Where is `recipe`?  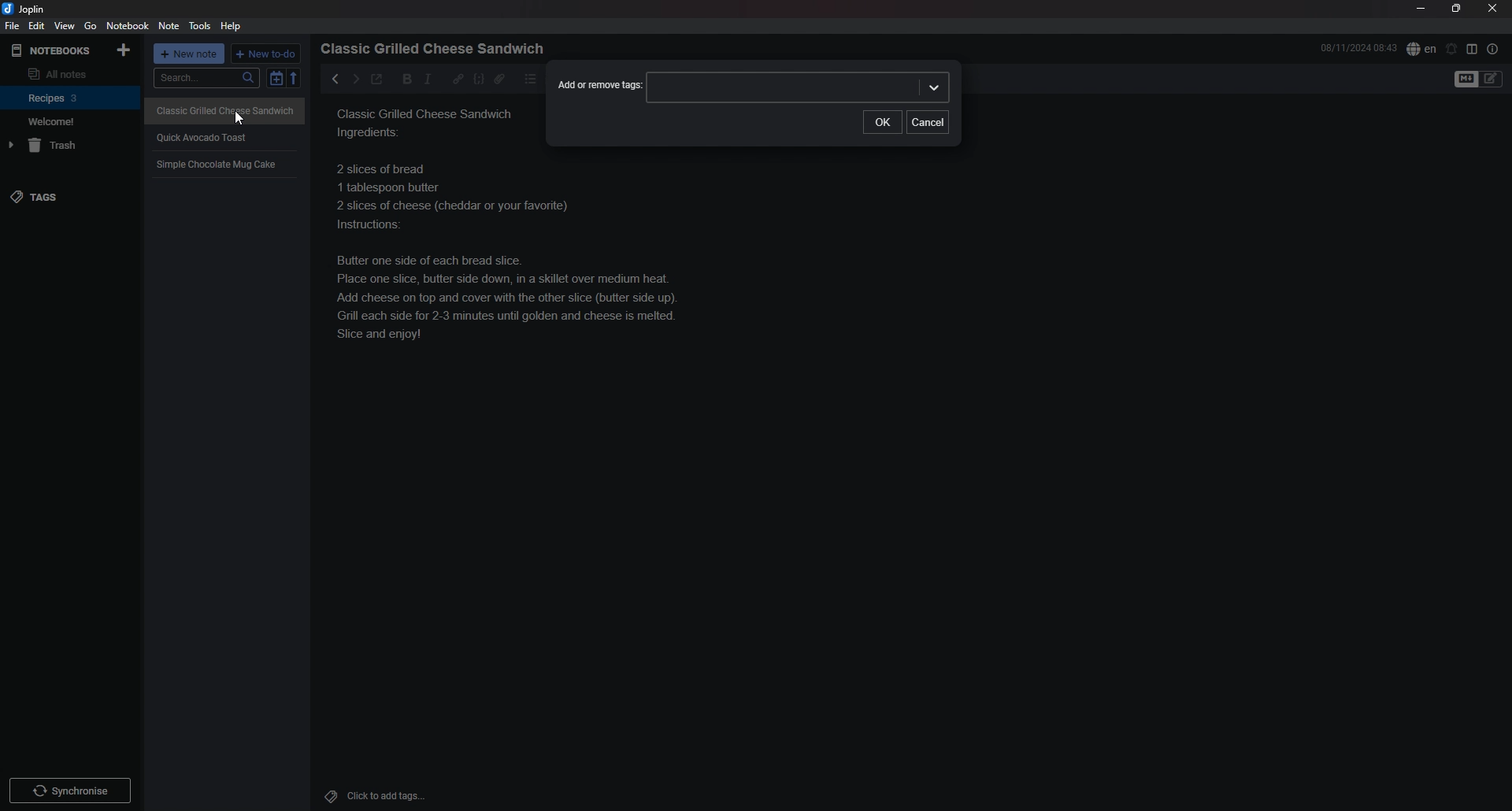 recipe is located at coordinates (429, 127).